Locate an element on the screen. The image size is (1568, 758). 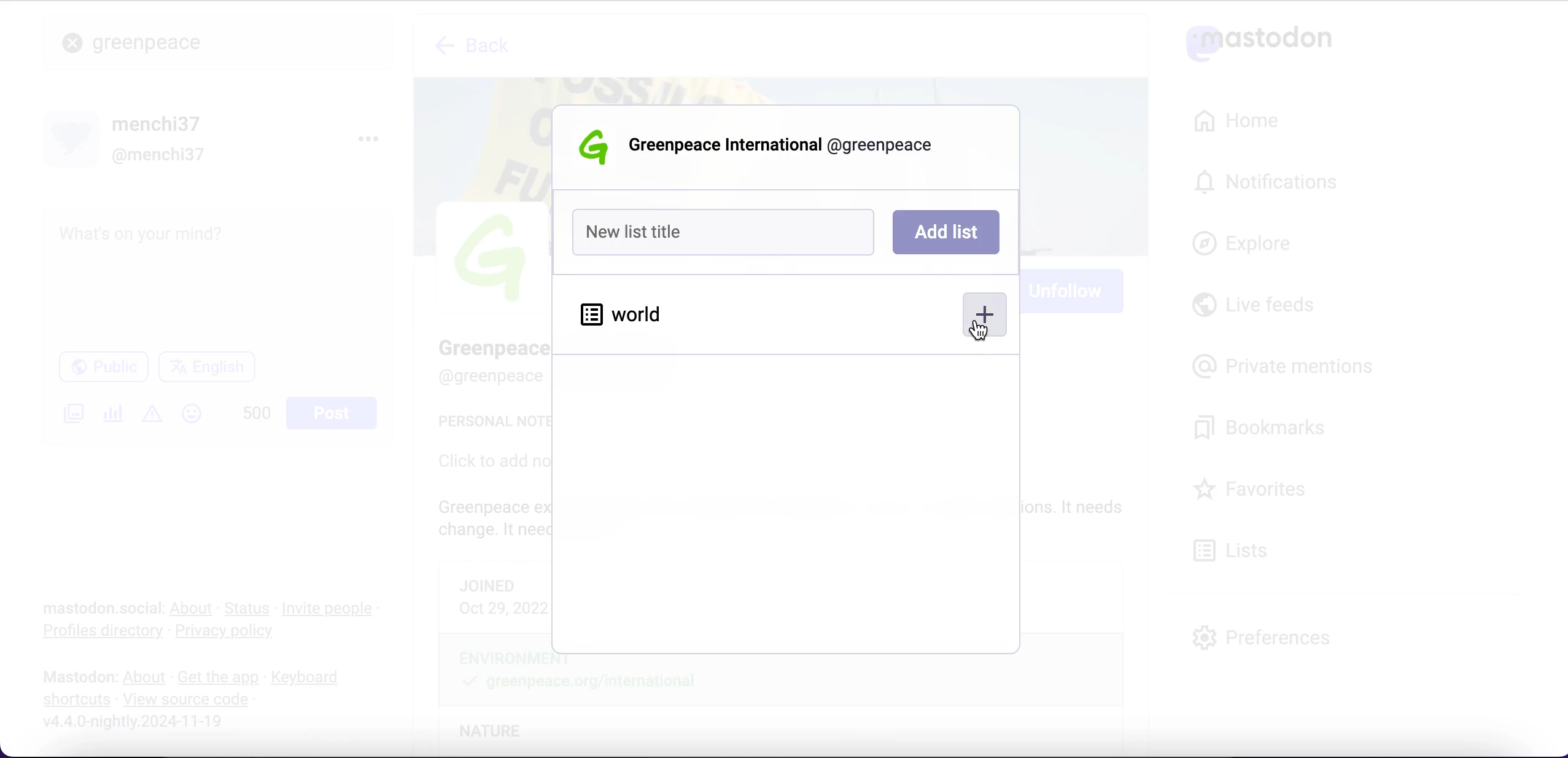
notifications is located at coordinates (1272, 181).